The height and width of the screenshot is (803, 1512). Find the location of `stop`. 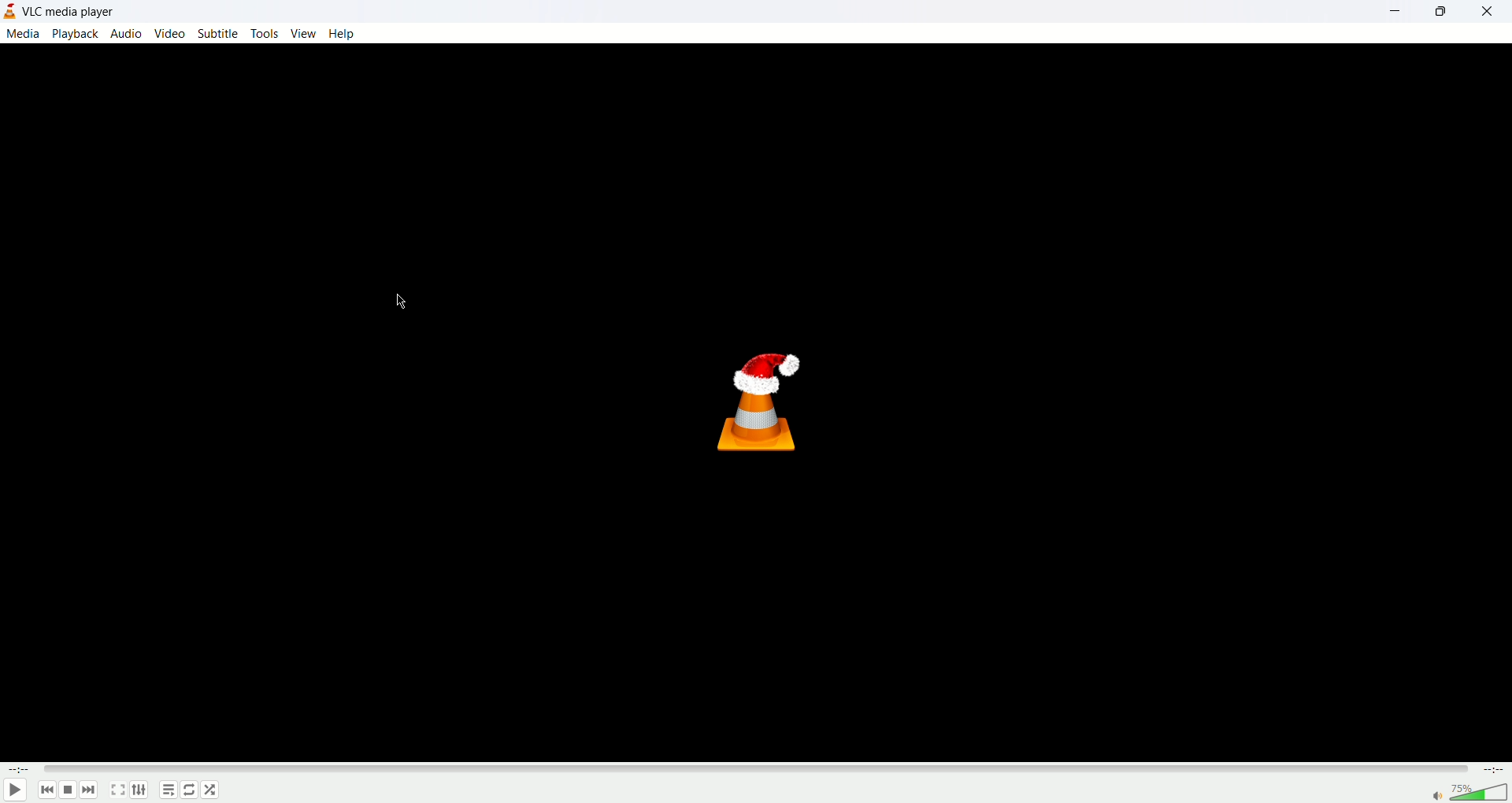

stop is located at coordinates (69, 791).